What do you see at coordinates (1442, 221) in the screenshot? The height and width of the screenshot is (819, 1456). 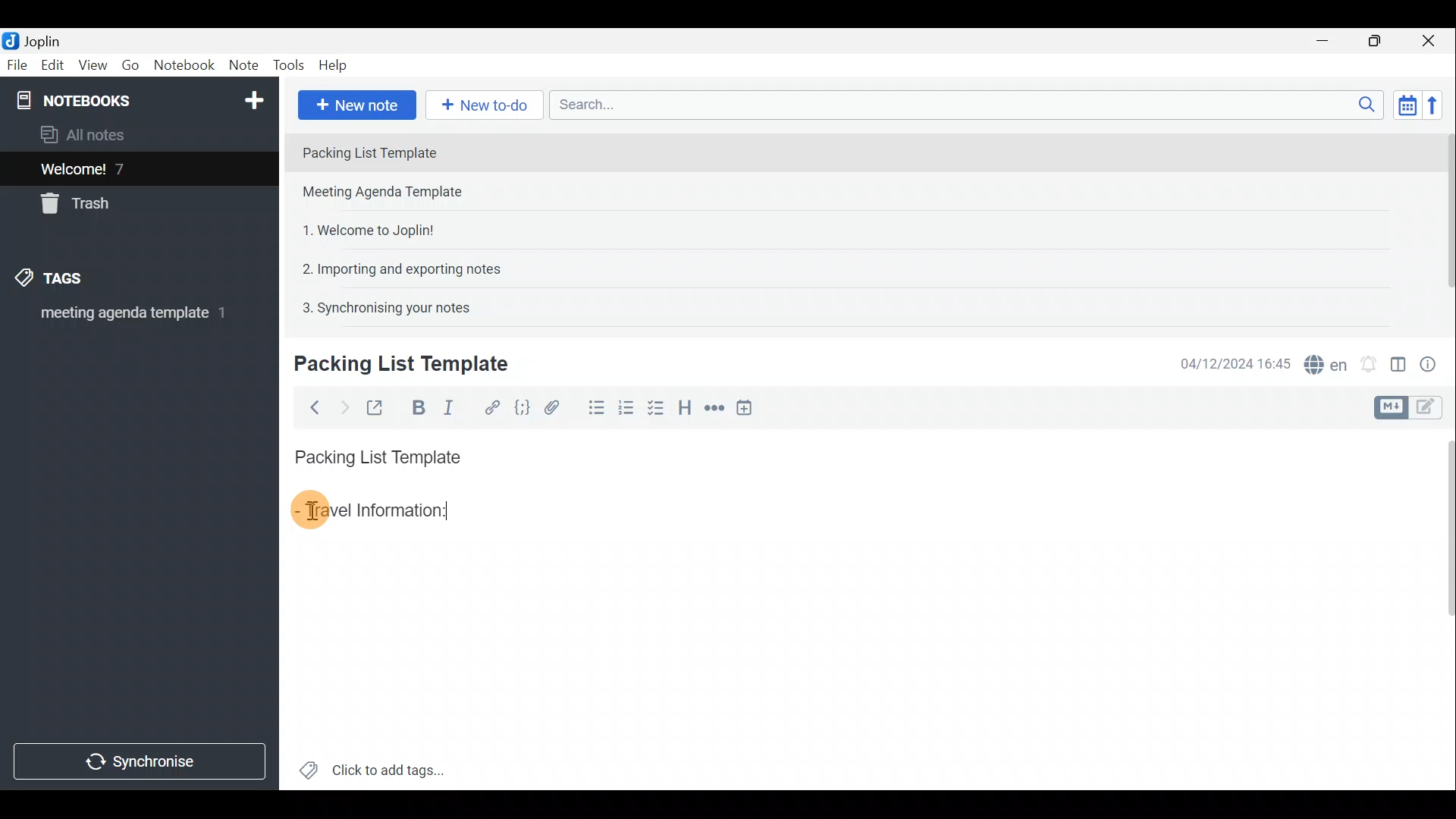 I see `Scroll bar` at bounding box center [1442, 221].